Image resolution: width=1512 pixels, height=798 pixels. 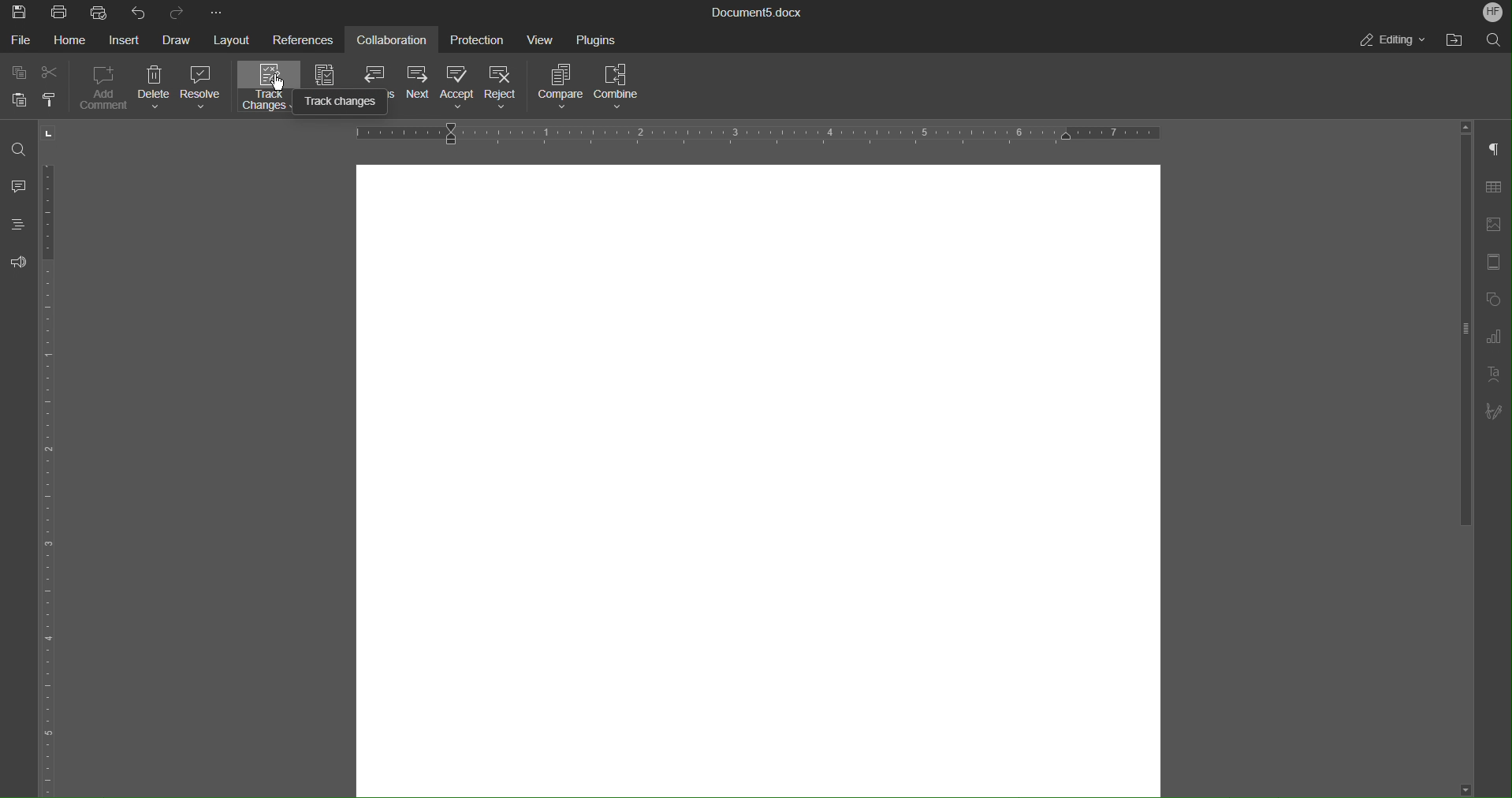 I want to click on Plugins, so click(x=602, y=43).